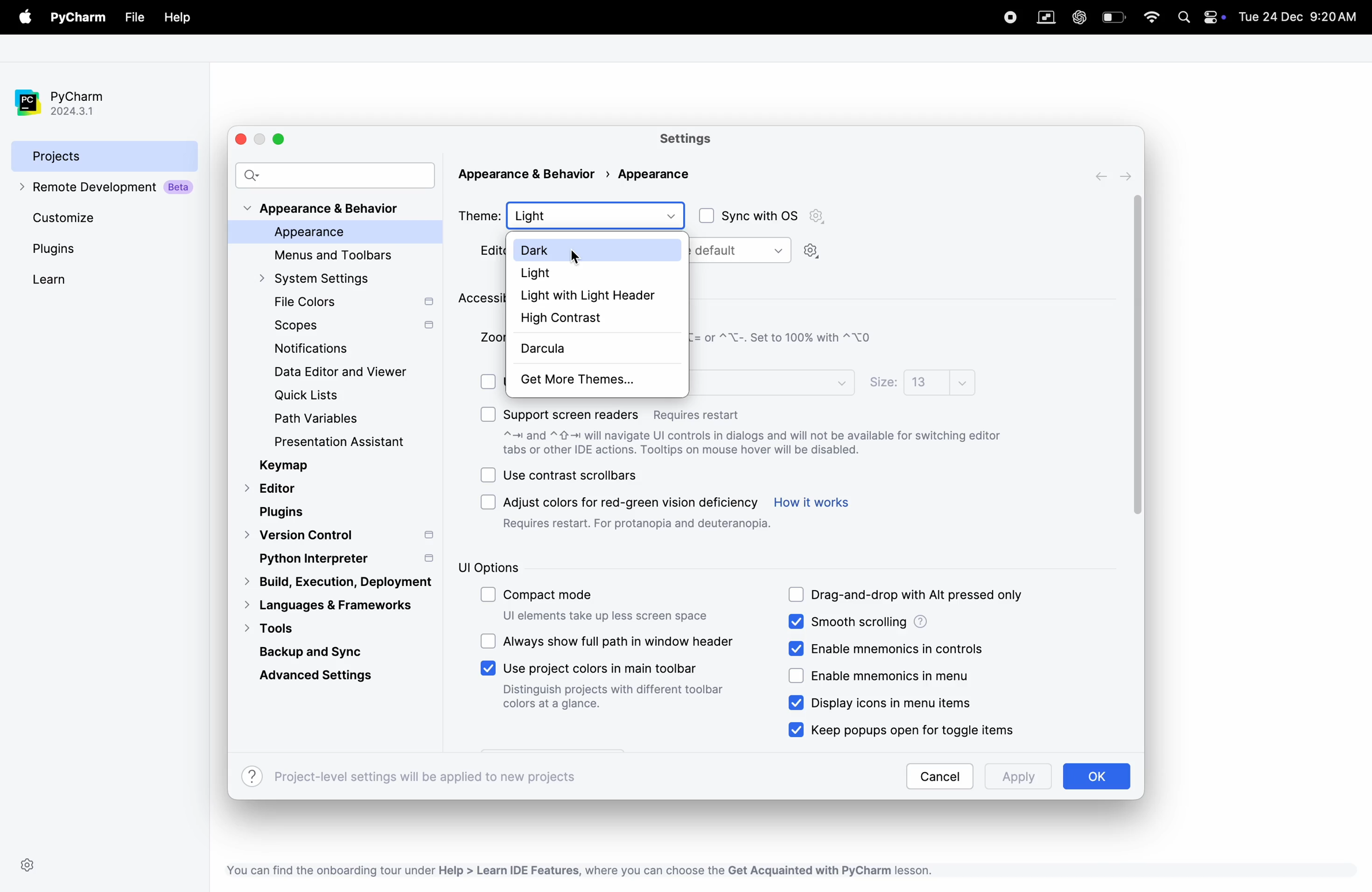  What do you see at coordinates (480, 299) in the screenshot?
I see `accesibility` at bounding box center [480, 299].